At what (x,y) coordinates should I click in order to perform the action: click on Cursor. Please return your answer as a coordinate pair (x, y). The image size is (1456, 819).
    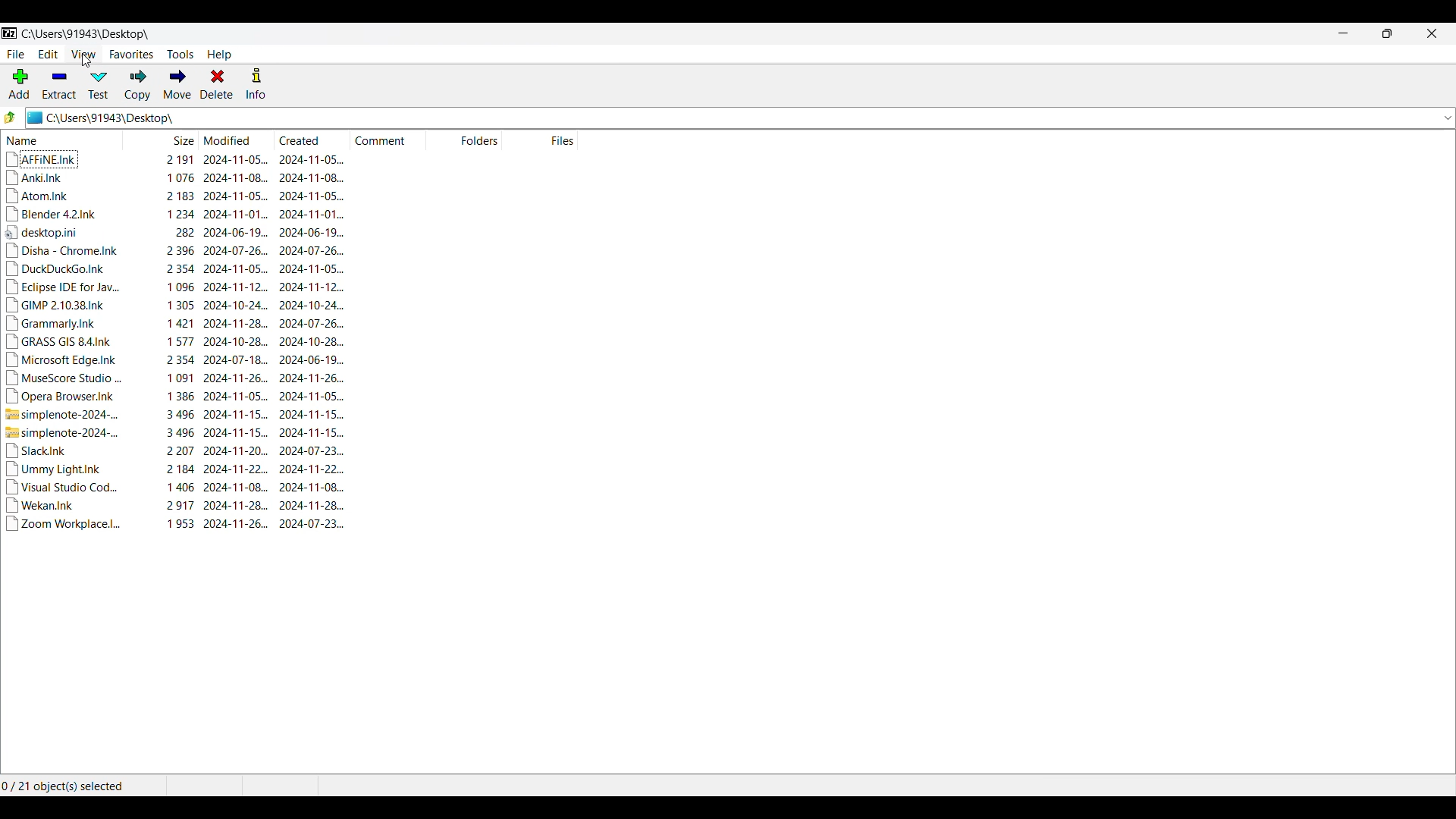
    Looking at the image, I should click on (86, 62).